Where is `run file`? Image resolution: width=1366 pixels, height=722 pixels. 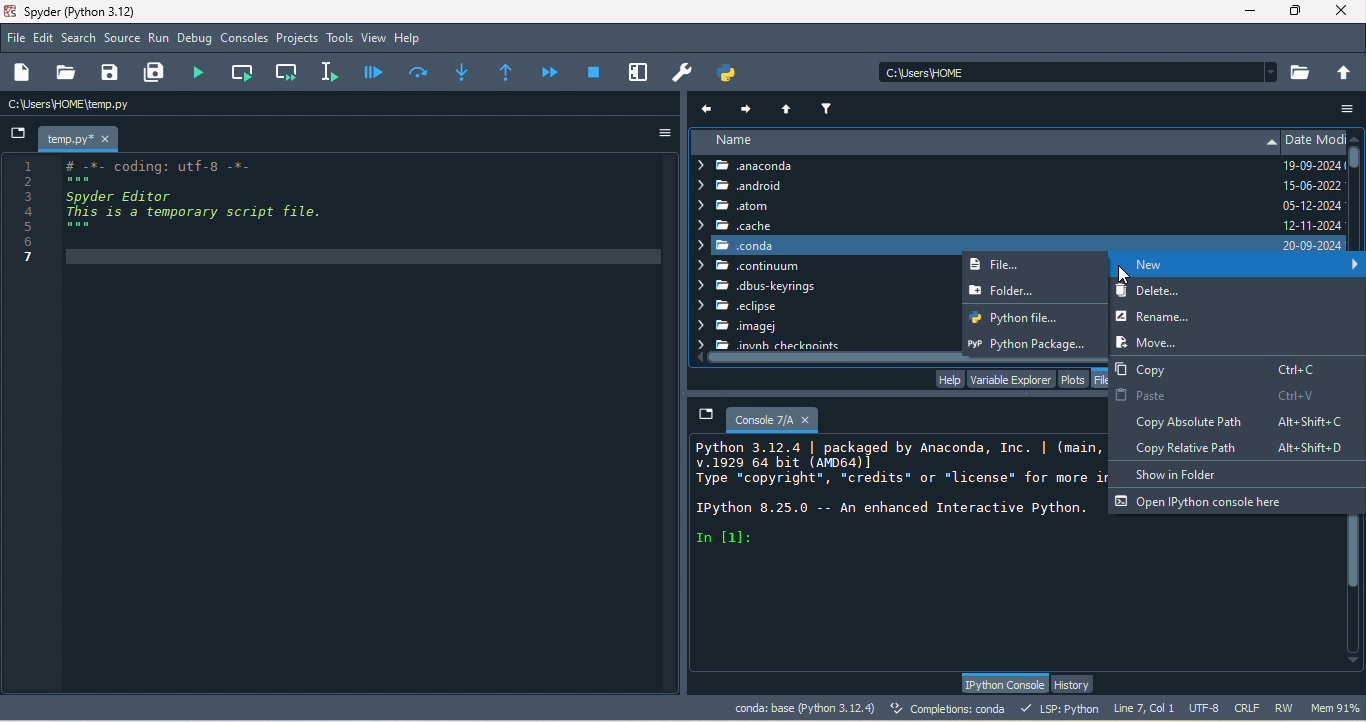 run file is located at coordinates (204, 72).